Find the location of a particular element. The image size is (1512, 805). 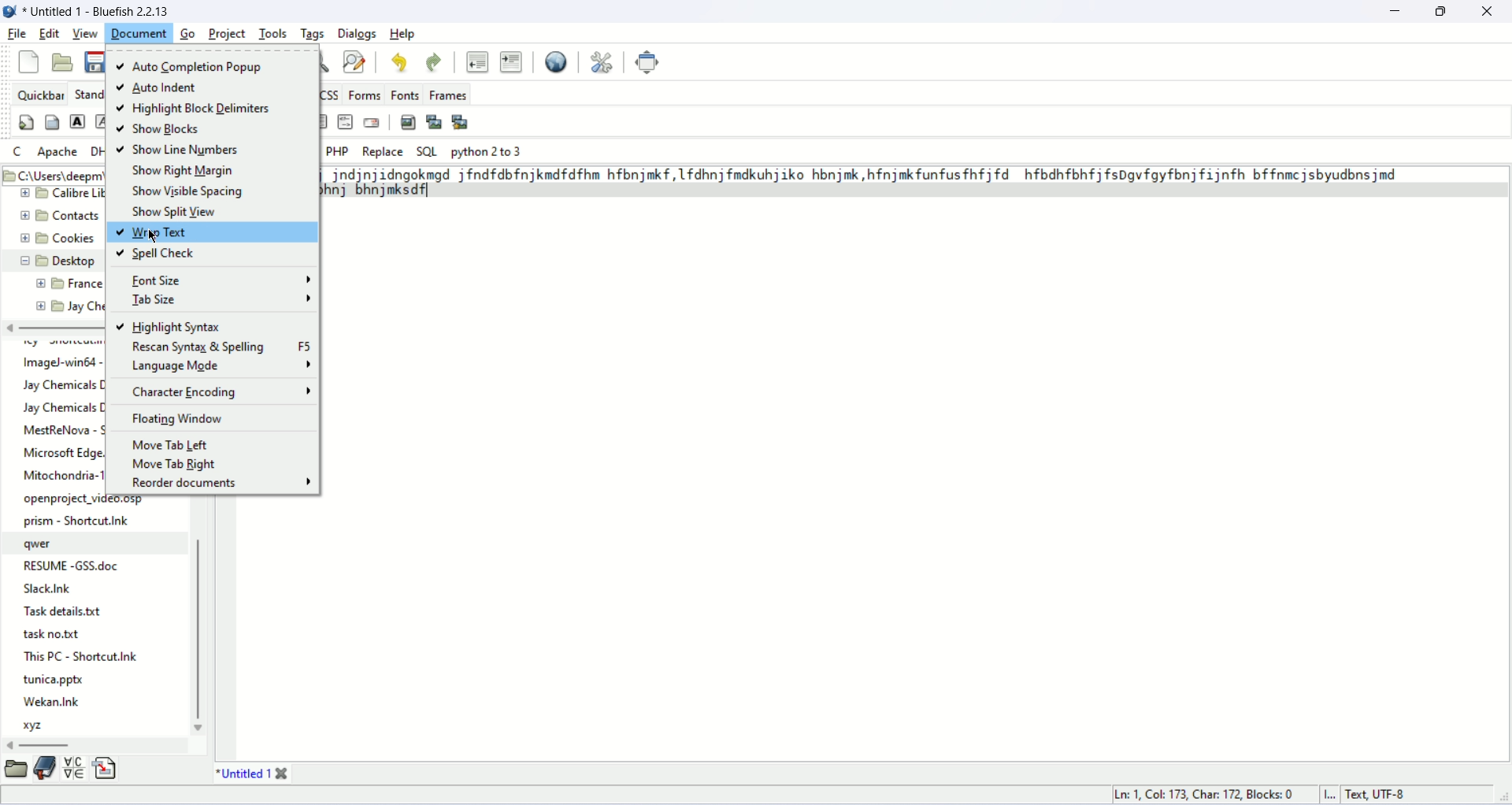

file is located at coordinates (17, 35).